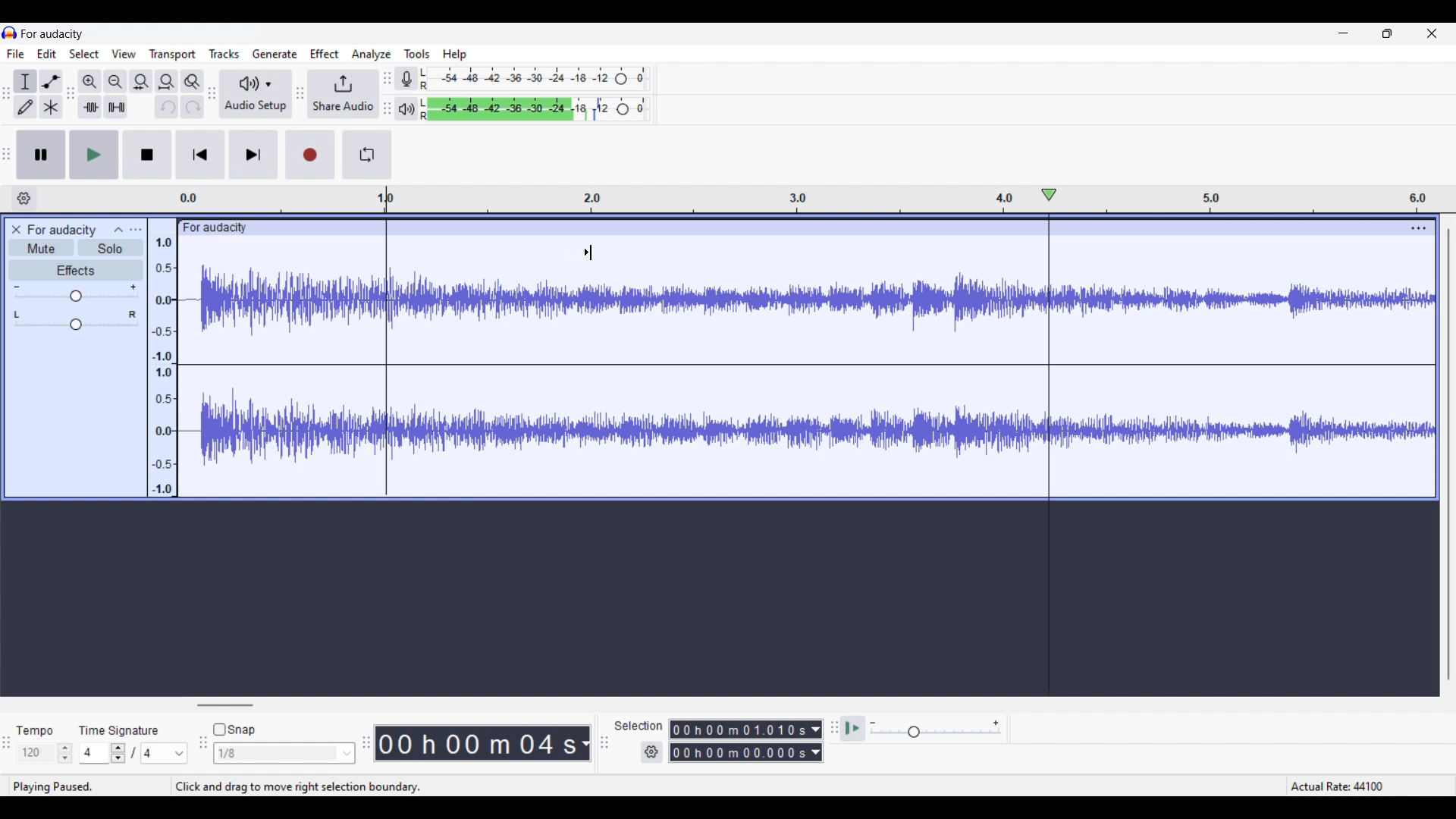  Describe the element at coordinates (167, 82) in the screenshot. I see `Fit track to width` at that location.